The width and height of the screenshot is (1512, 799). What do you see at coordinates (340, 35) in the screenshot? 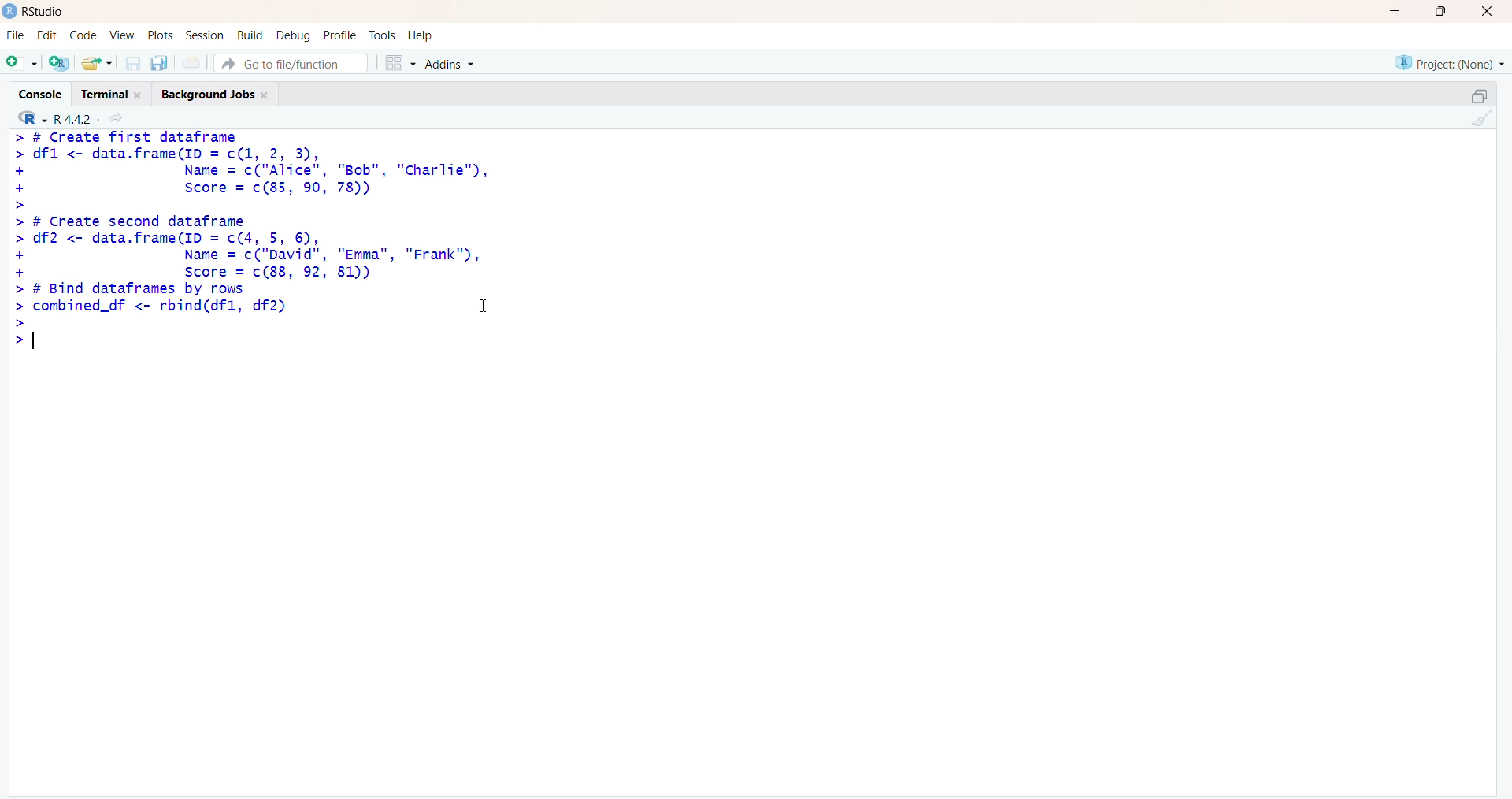
I see `Profile` at bounding box center [340, 35].